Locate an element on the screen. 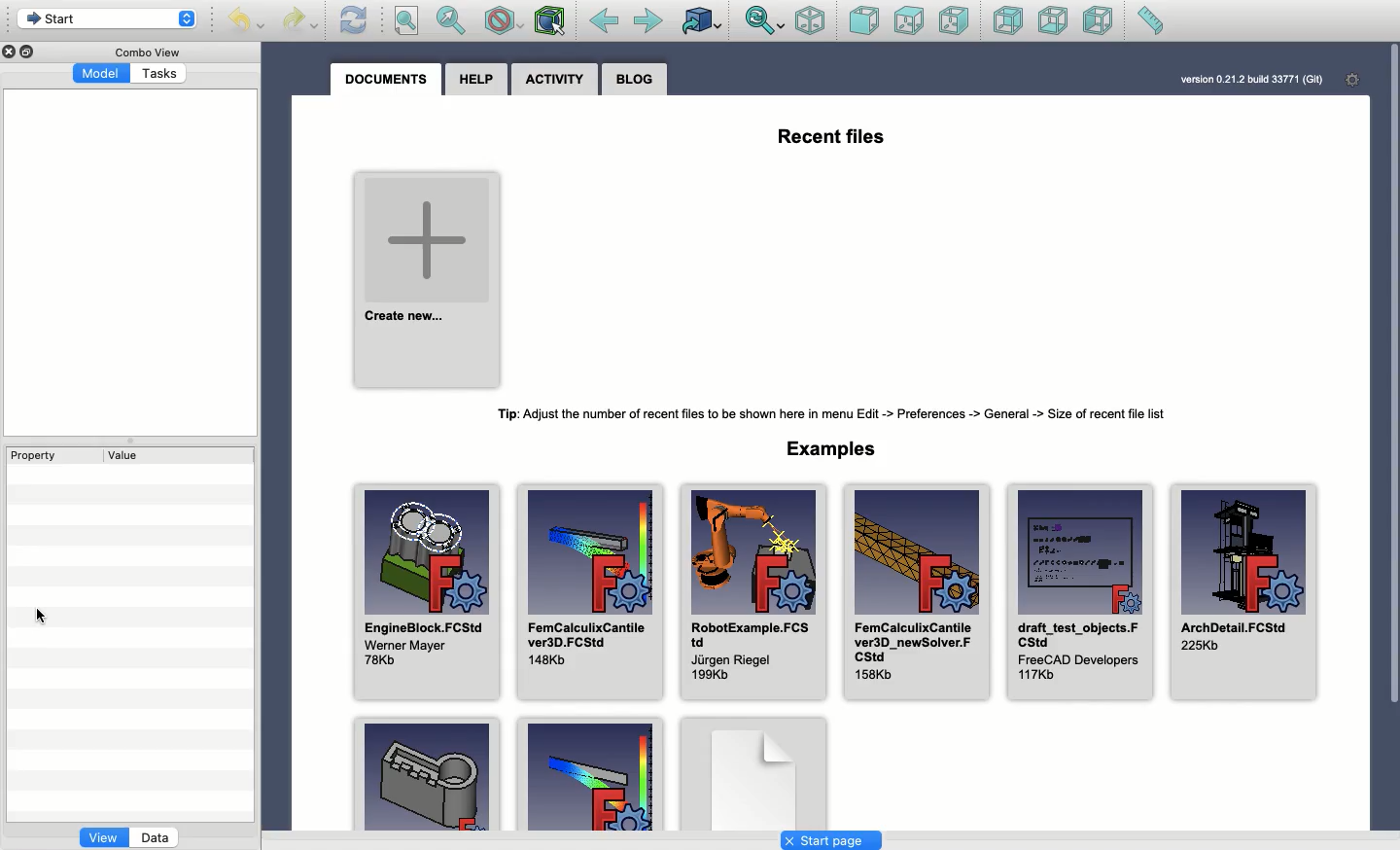 The height and width of the screenshot is (850, 1400). Help is located at coordinates (476, 80).